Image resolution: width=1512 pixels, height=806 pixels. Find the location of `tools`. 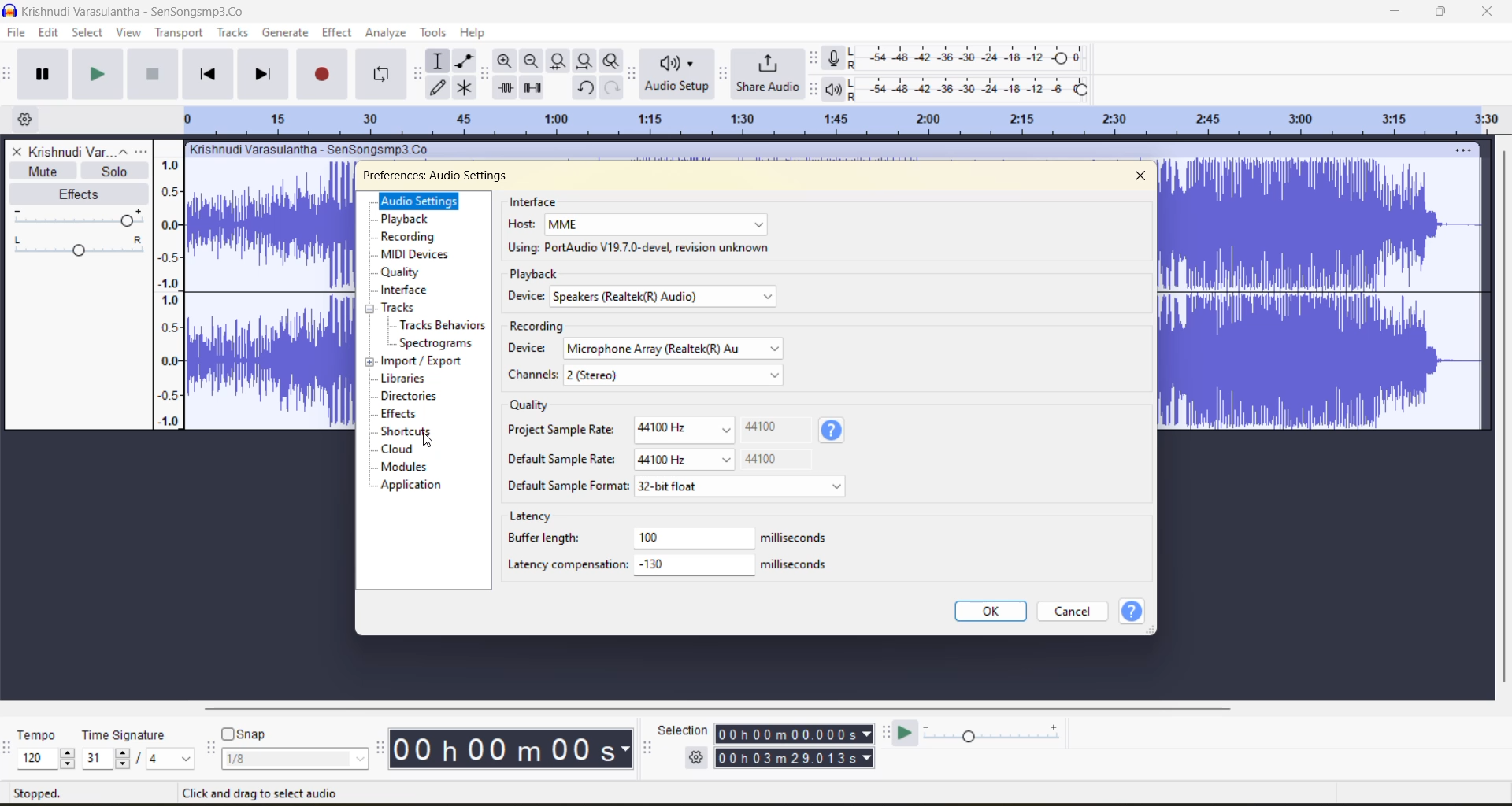

tools is located at coordinates (434, 33).